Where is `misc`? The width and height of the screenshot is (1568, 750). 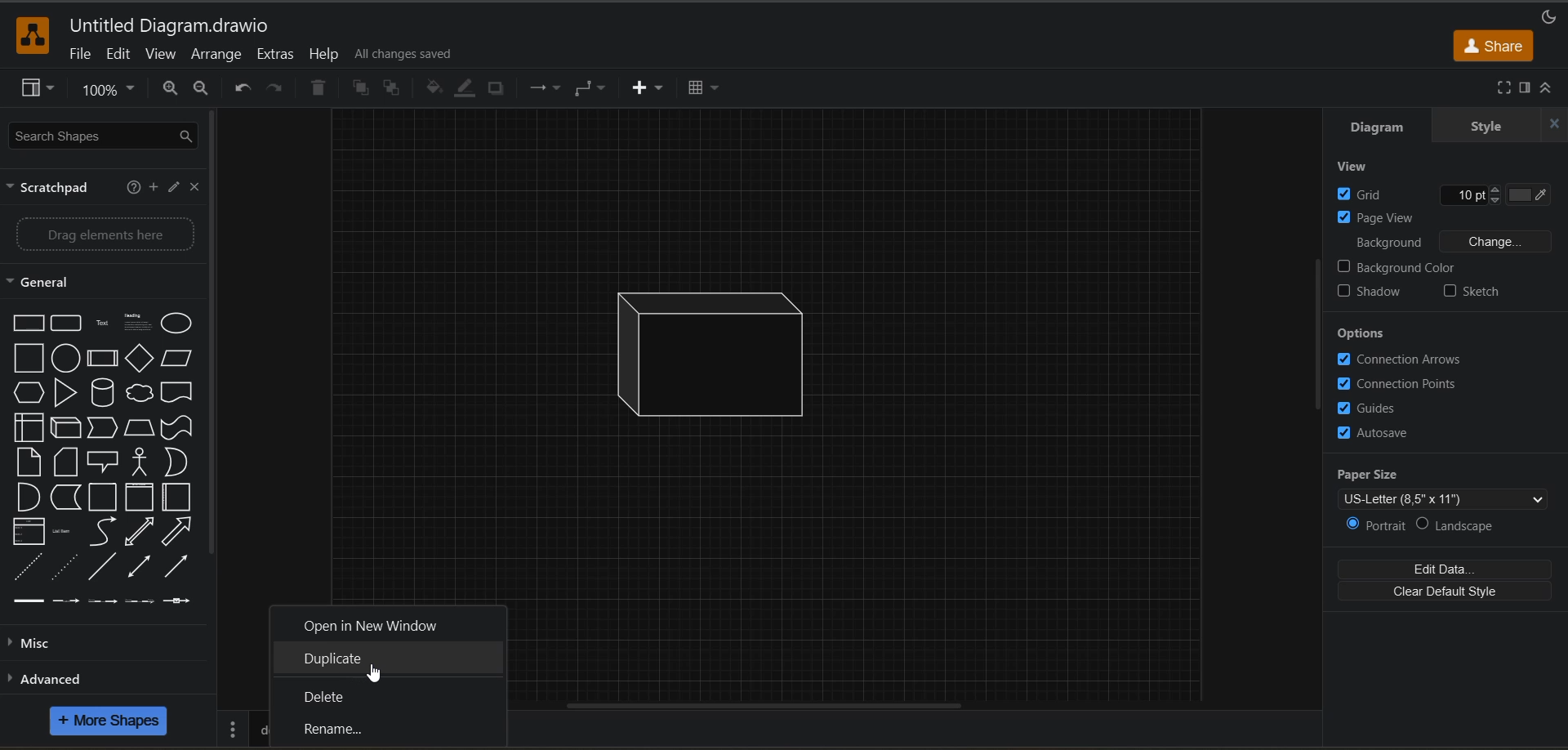
misc is located at coordinates (42, 643).